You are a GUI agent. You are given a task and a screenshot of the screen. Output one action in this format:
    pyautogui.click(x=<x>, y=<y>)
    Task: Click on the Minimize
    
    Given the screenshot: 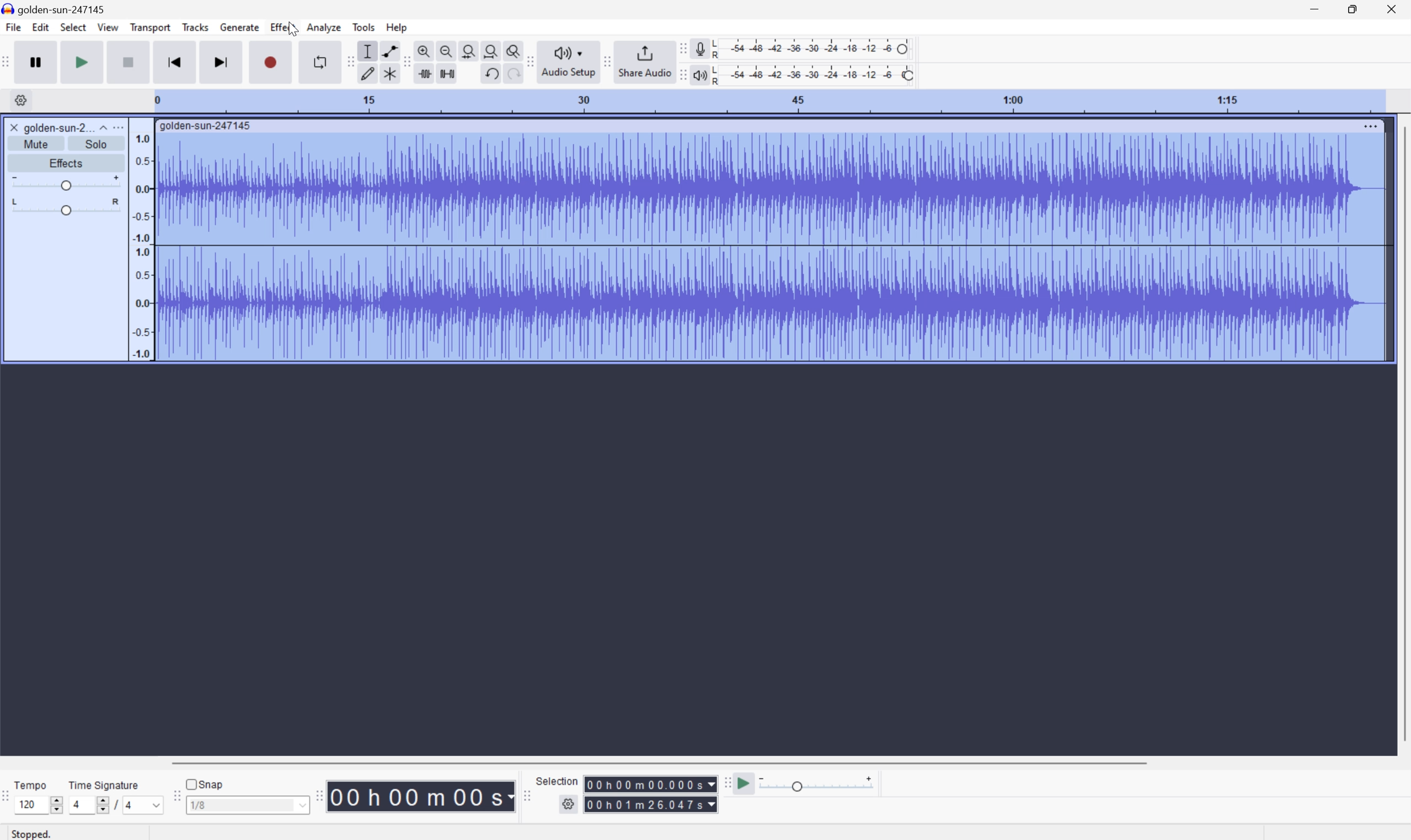 What is the action you would take?
    pyautogui.click(x=1314, y=8)
    